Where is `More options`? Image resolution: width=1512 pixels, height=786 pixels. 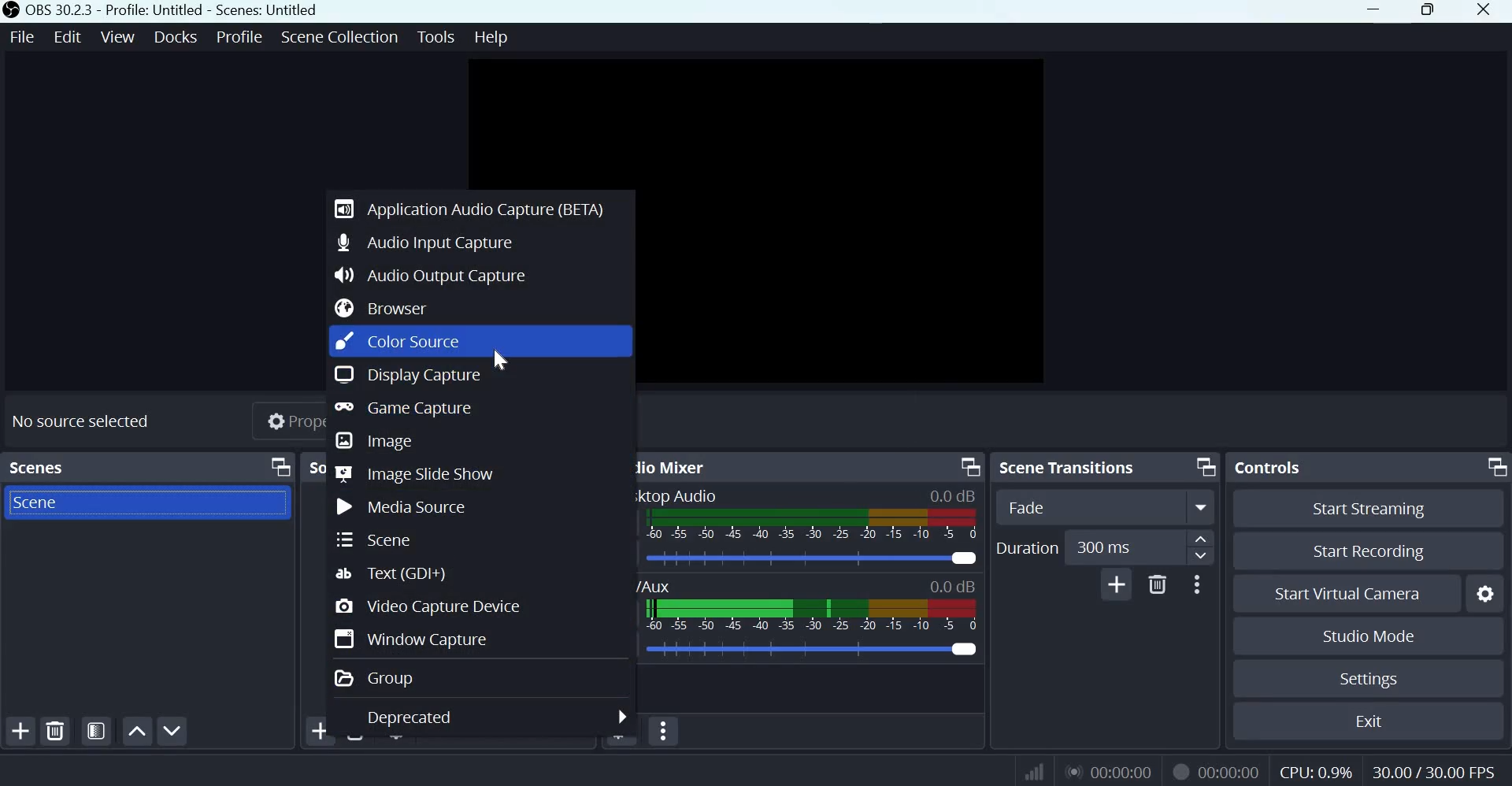 More options is located at coordinates (1197, 584).